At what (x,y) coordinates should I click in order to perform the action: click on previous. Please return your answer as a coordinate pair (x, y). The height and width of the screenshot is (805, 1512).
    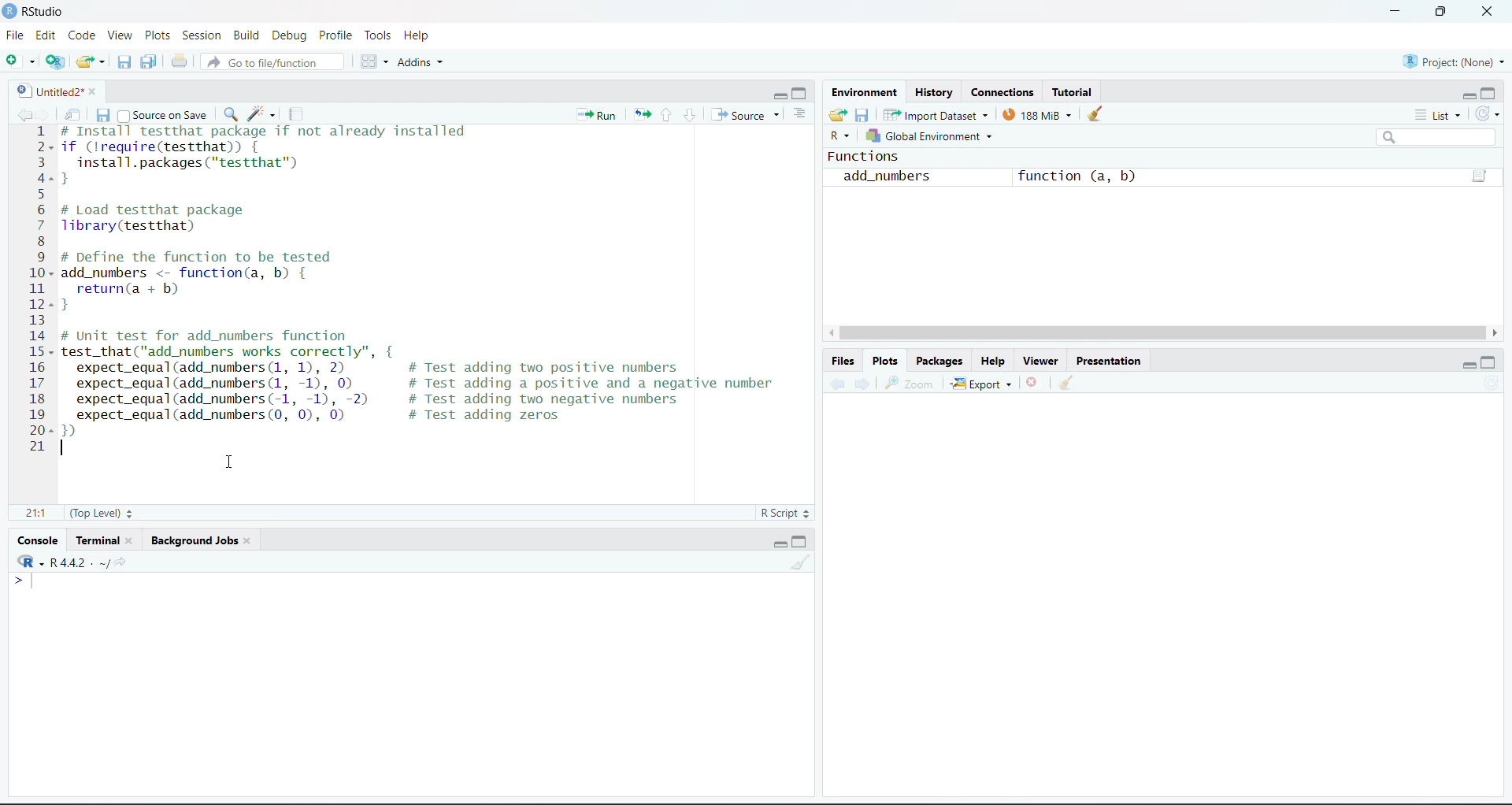
    Looking at the image, I should click on (836, 383).